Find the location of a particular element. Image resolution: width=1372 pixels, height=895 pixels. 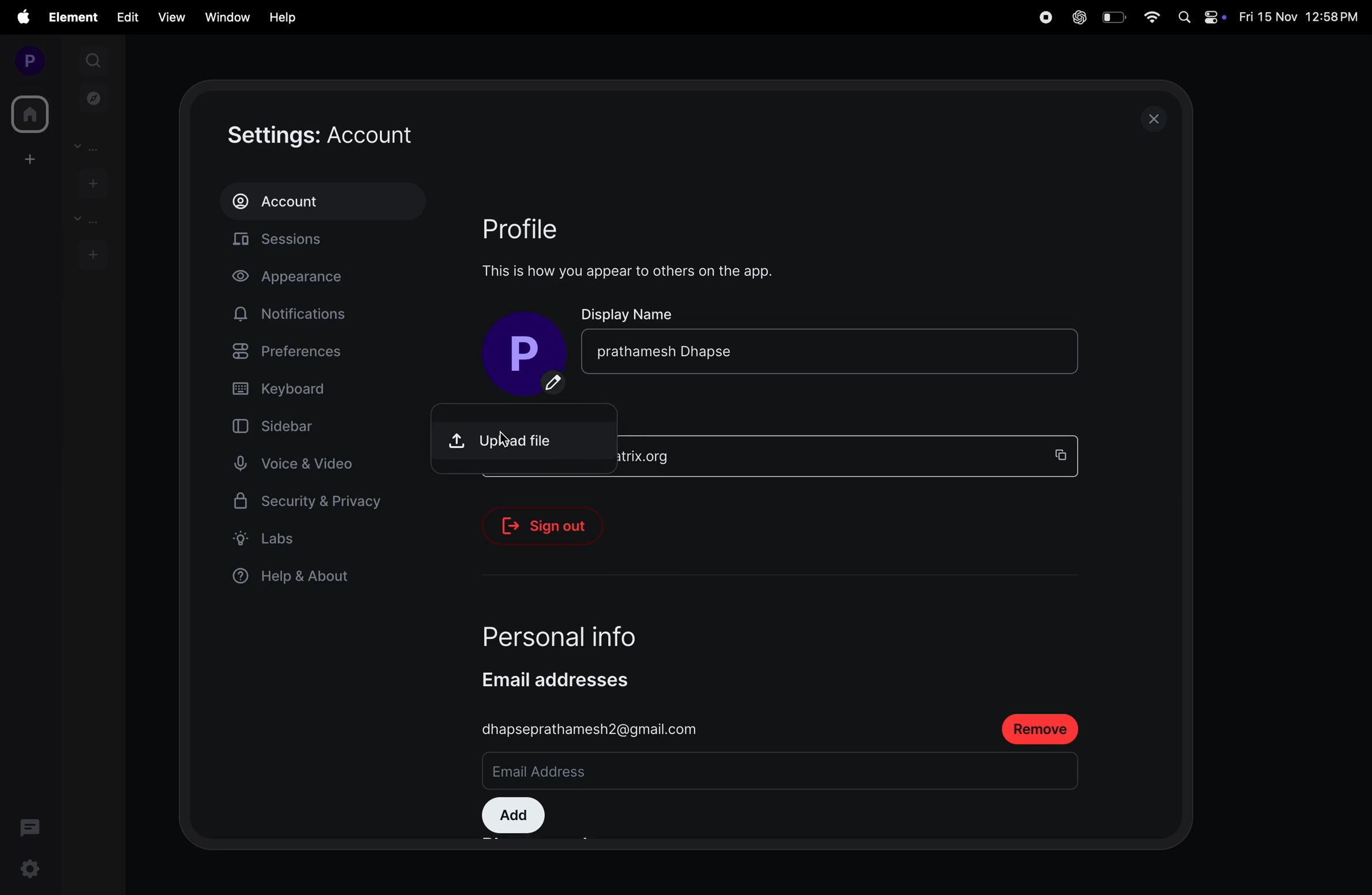

threads is located at coordinates (31, 826).